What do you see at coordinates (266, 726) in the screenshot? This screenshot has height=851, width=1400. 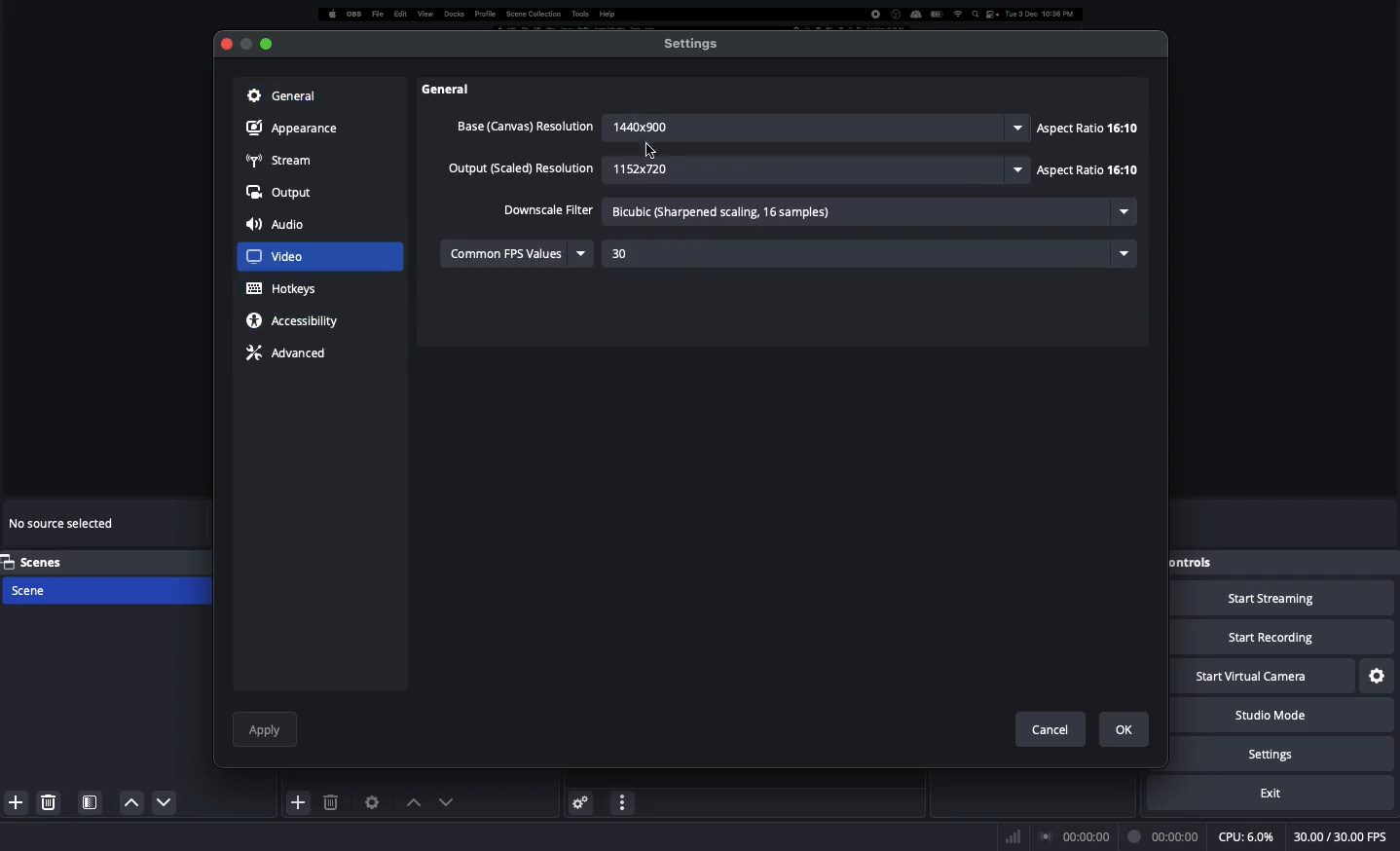 I see `Apply` at bounding box center [266, 726].